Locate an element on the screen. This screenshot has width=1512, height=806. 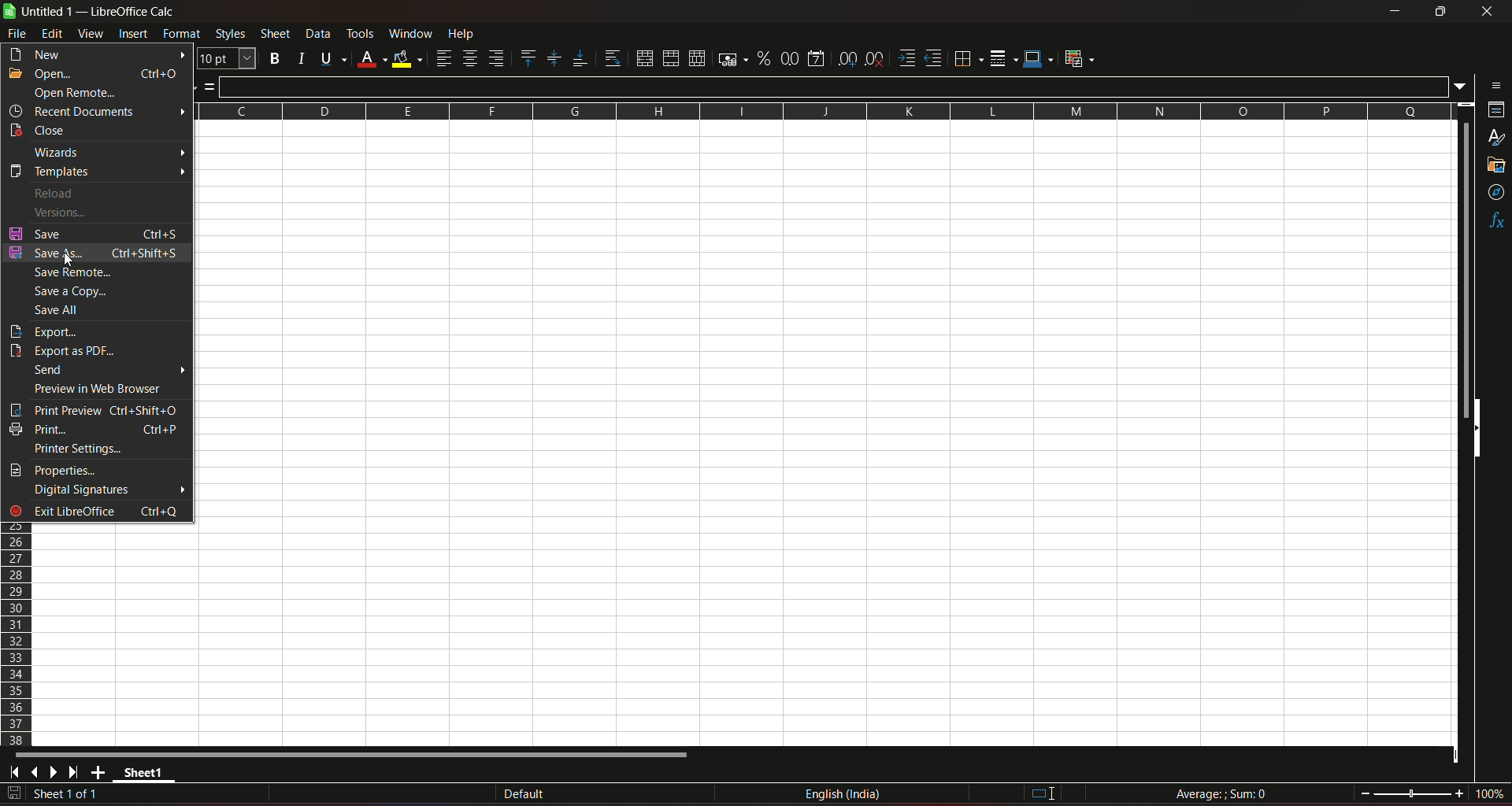
background color is located at coordinates (407, 57).